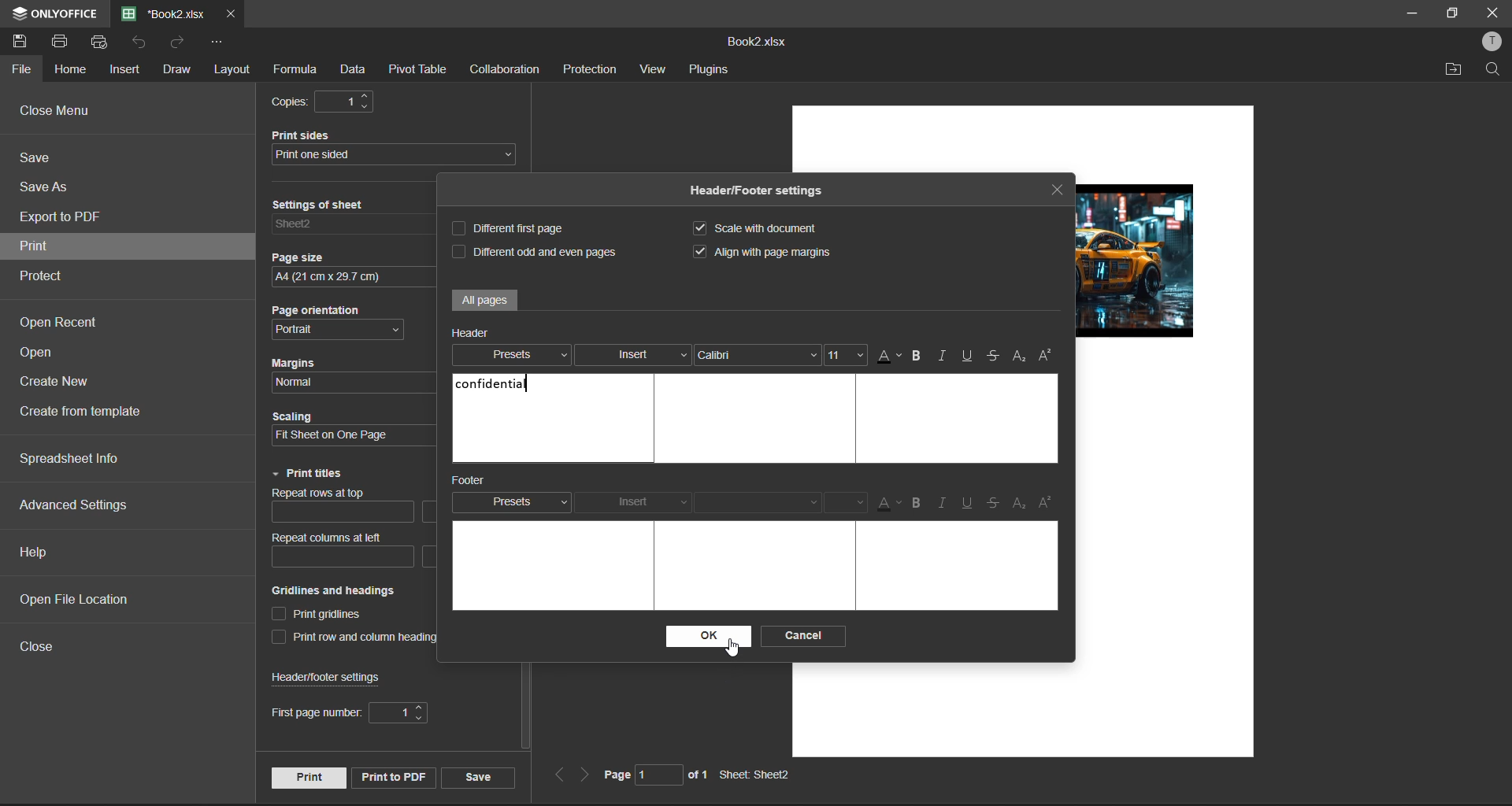 The height and width of the screenshot is (806, 1512). What do you see at coordinates (993, 355) in the screenshot?
I see `strikethrough` at bounding box center [993, 355].